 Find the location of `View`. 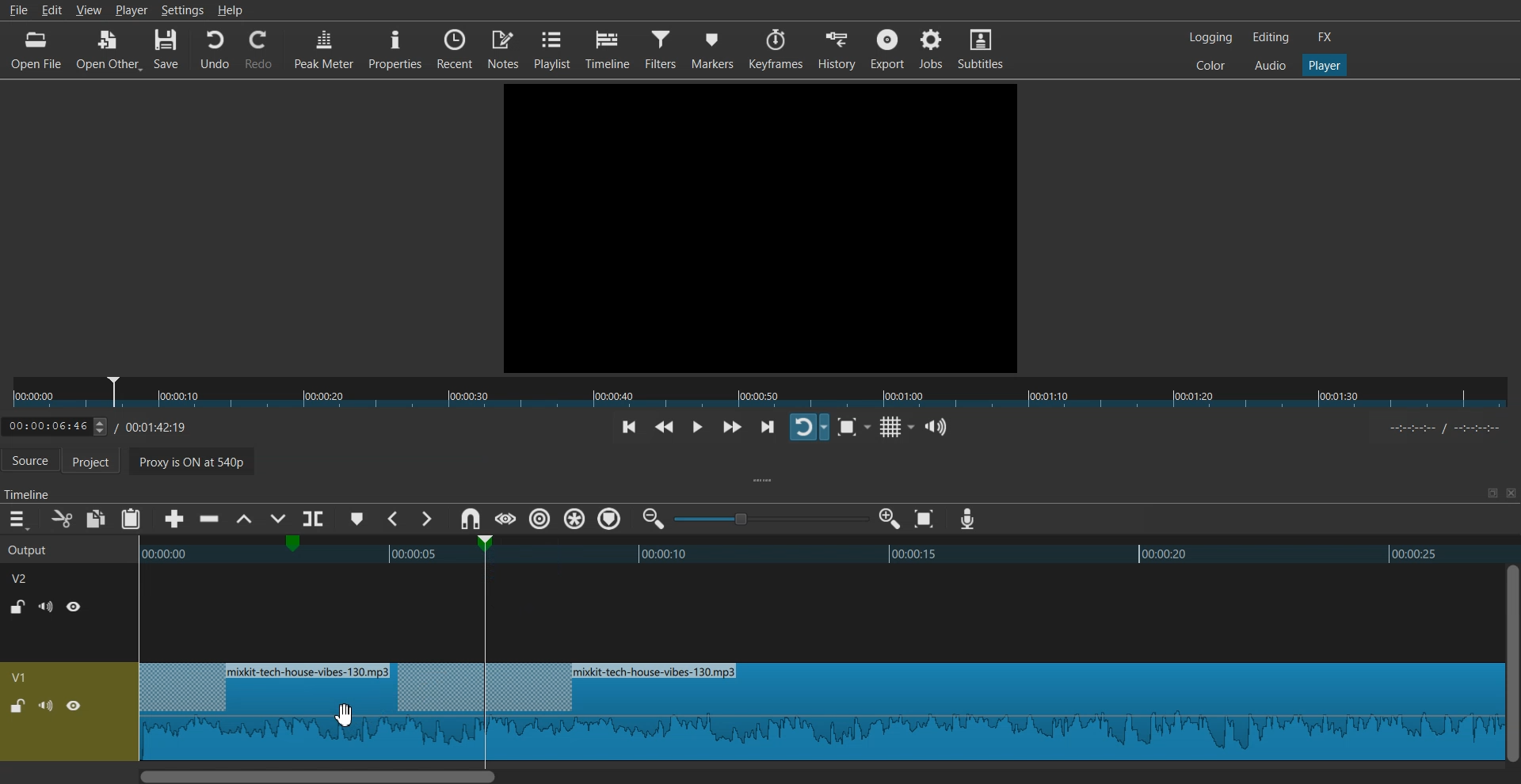

View is located at coordinates (89, 12).